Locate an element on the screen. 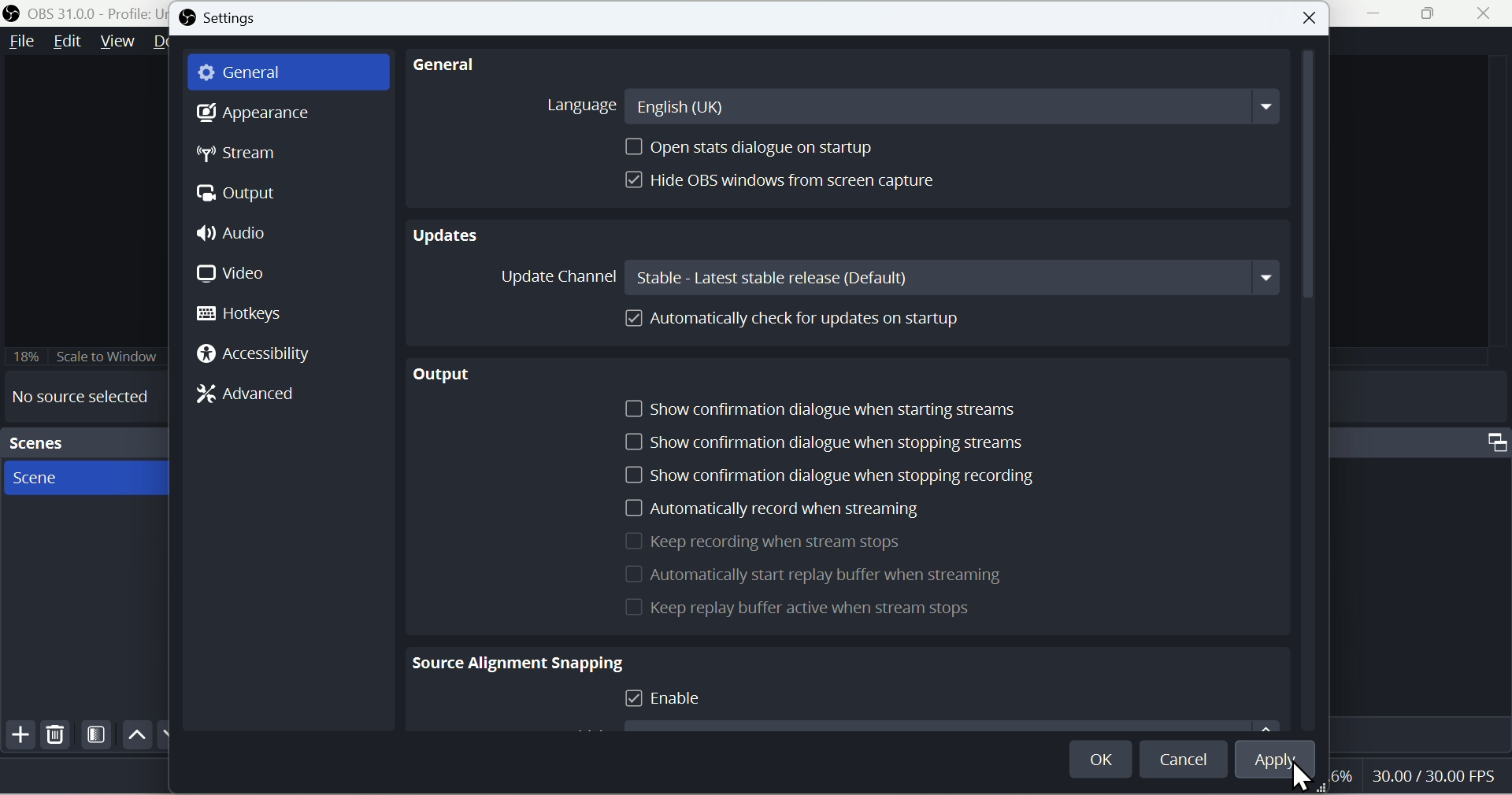 This screenshot has width=1512, height=795. output is located at coordinates (438, 374).